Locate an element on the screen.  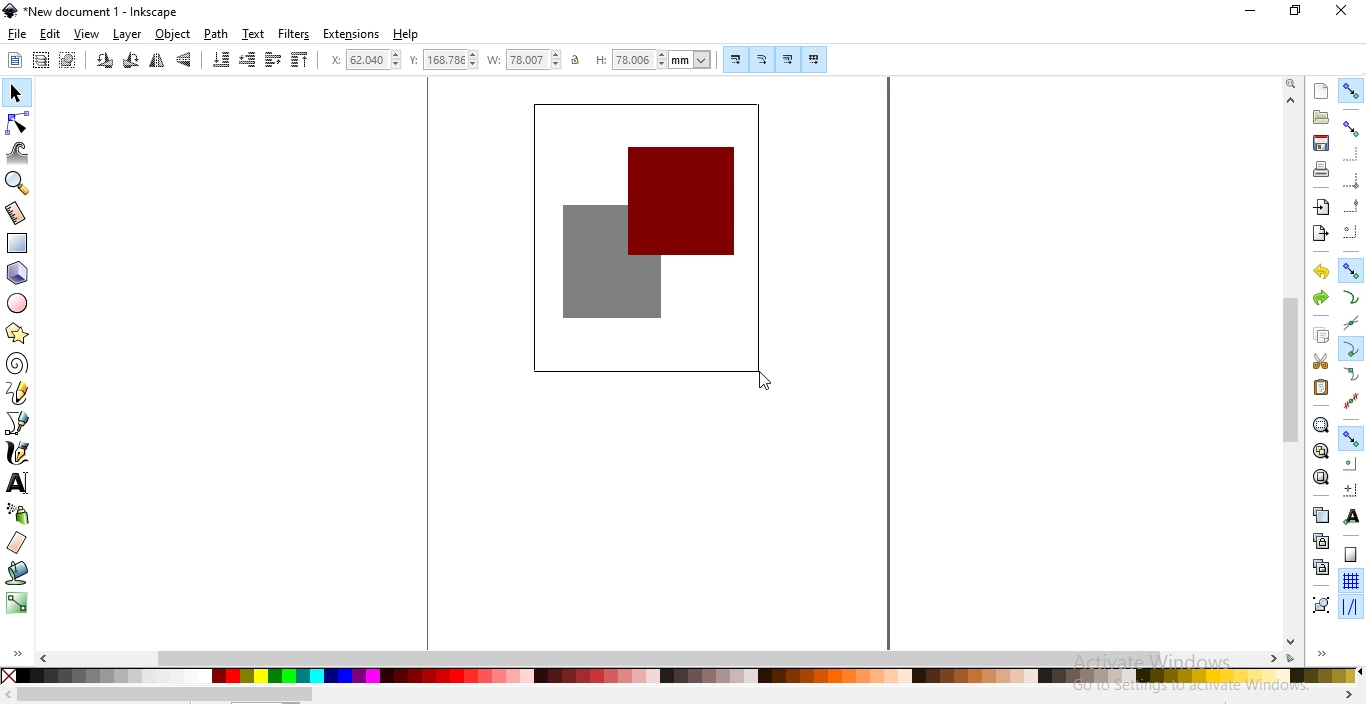
zoom to fit drawing is located at coordinates (1320, 450).